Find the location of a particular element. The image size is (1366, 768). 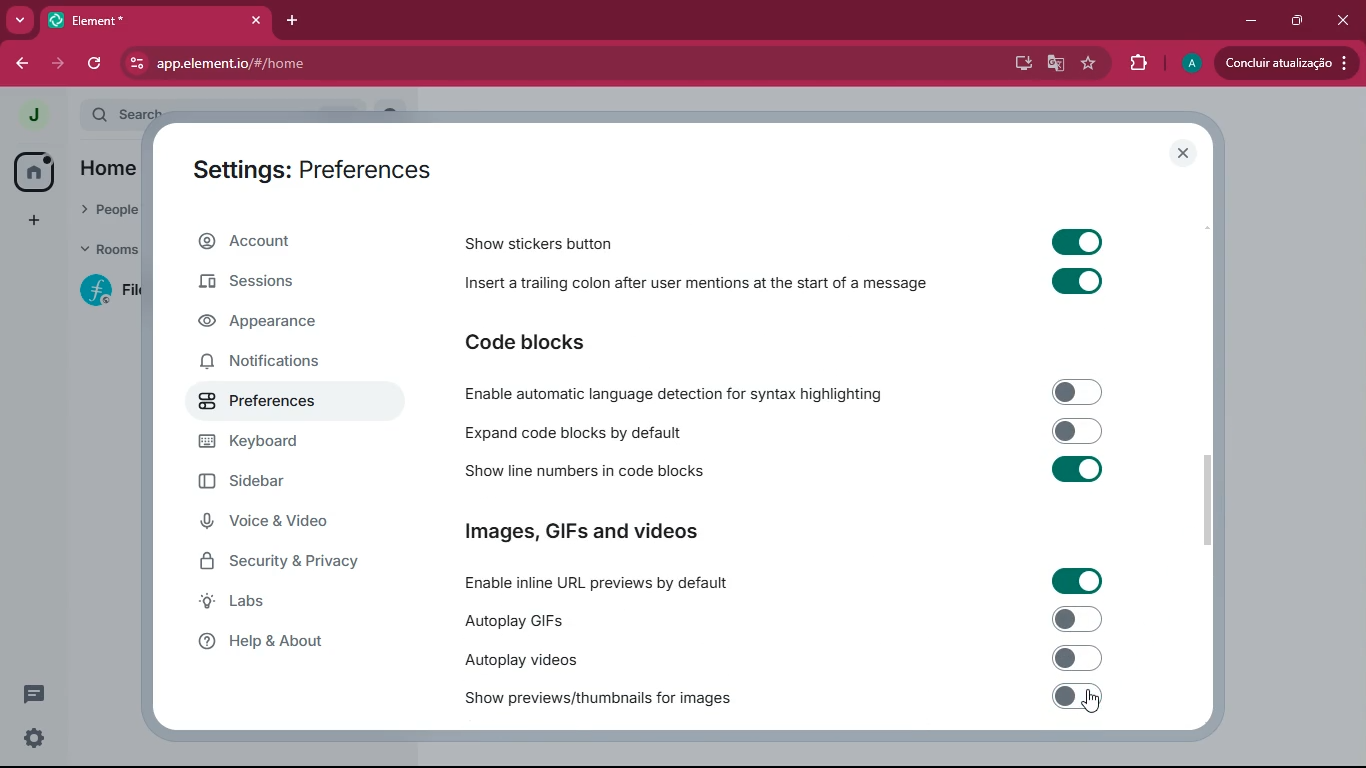

Appearance is located at coordinates (265, 327).